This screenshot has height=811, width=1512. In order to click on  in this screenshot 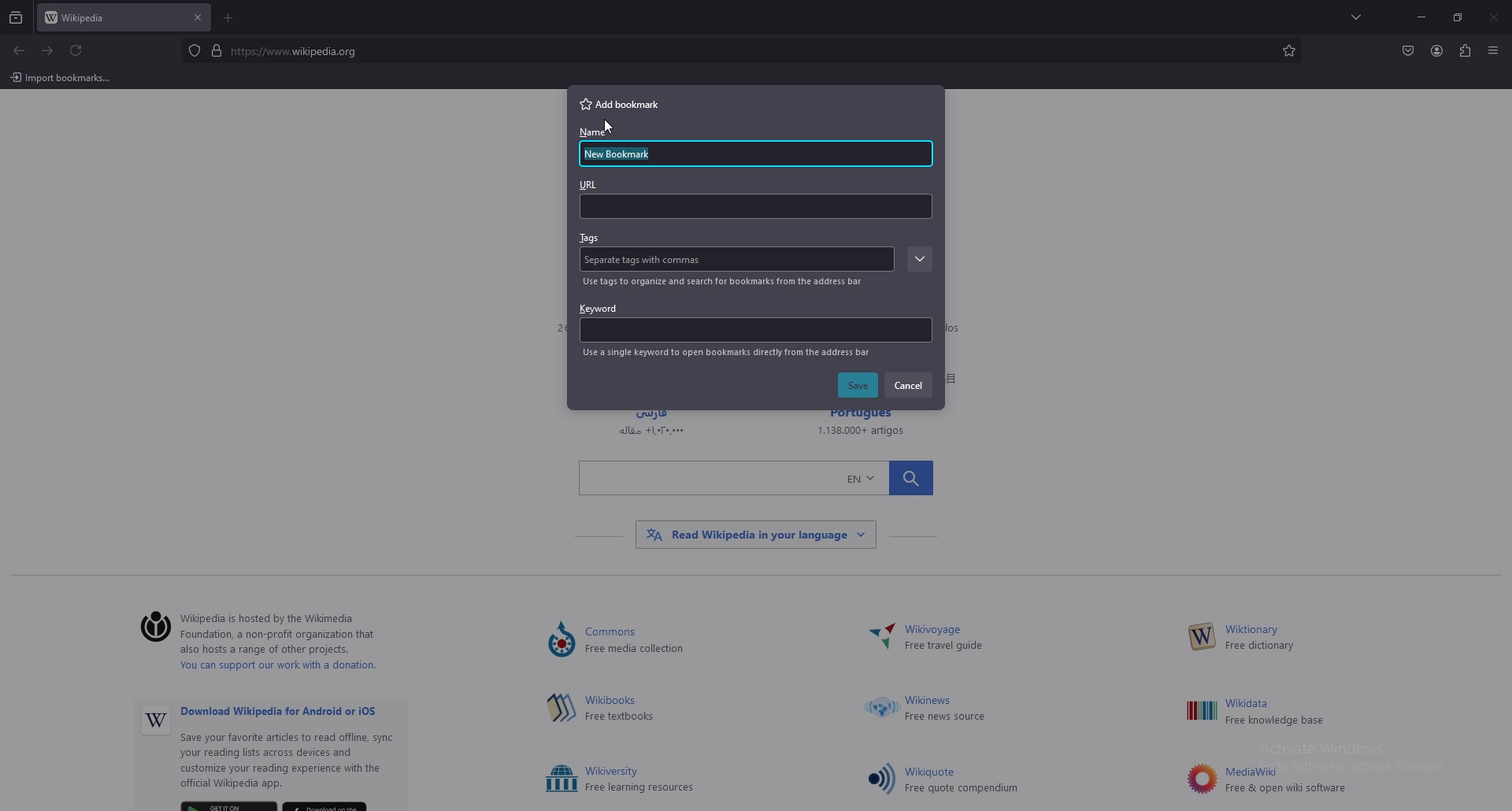, I will do `click(642, 780)`.